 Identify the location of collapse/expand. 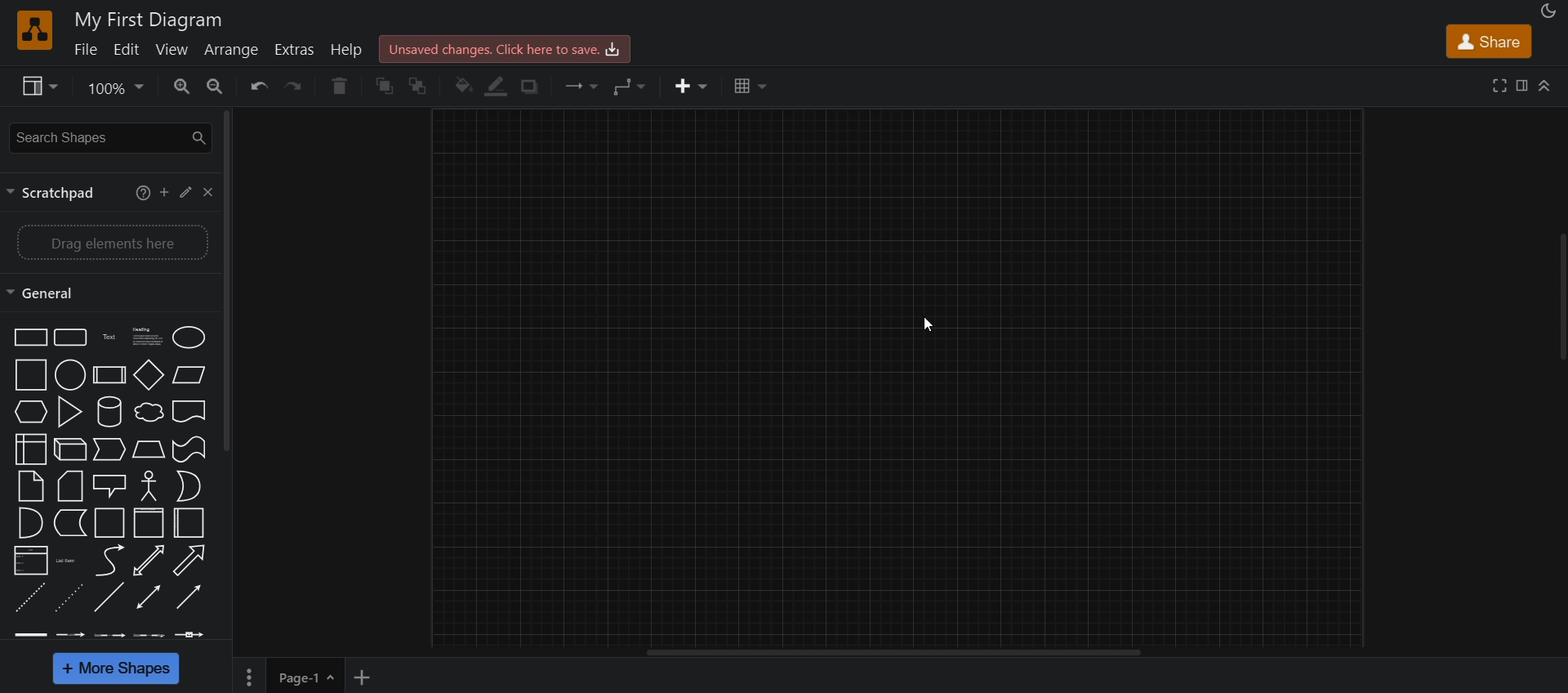
(1545, 87).